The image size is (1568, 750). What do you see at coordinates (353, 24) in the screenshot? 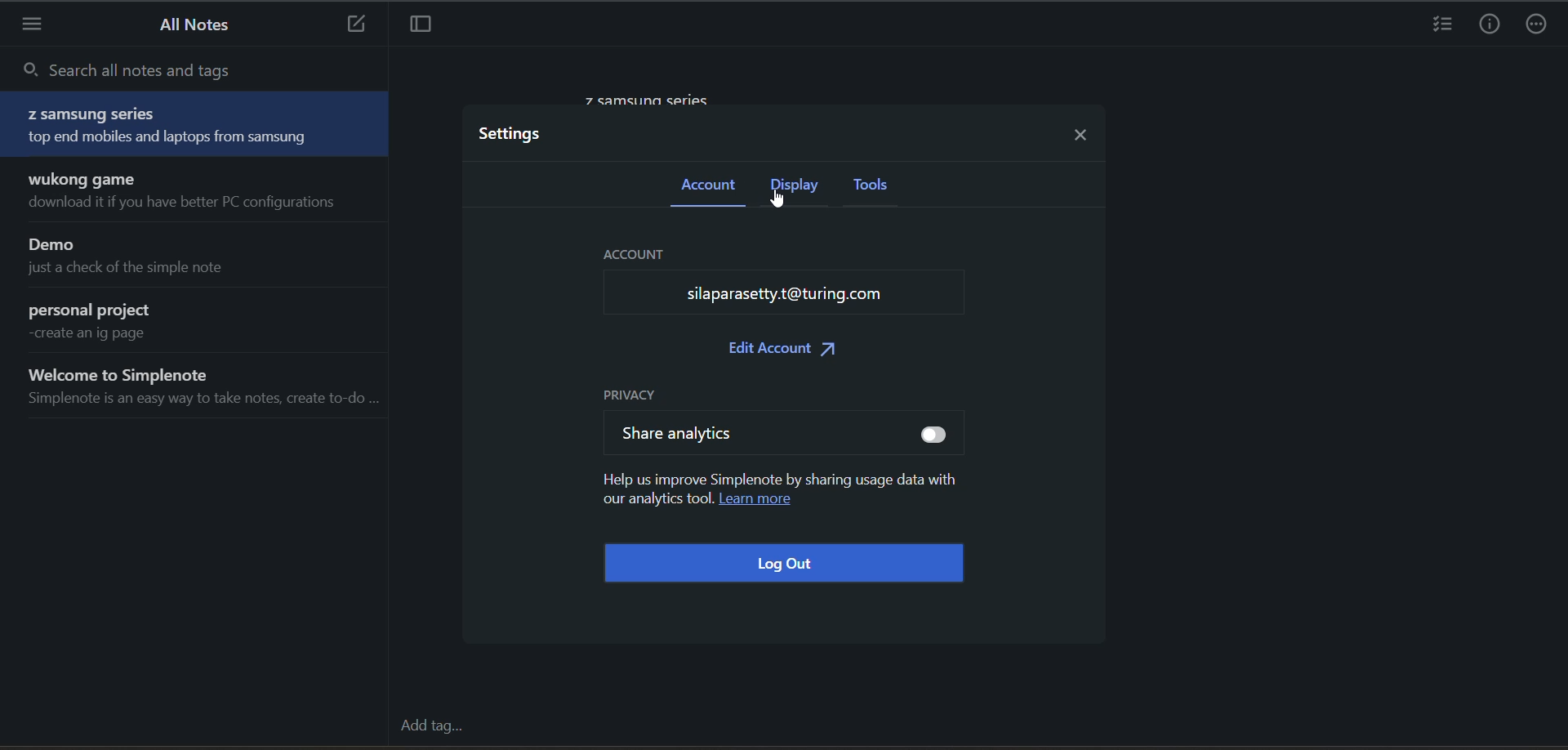
I see `new note` at bounding box center [353, 24].